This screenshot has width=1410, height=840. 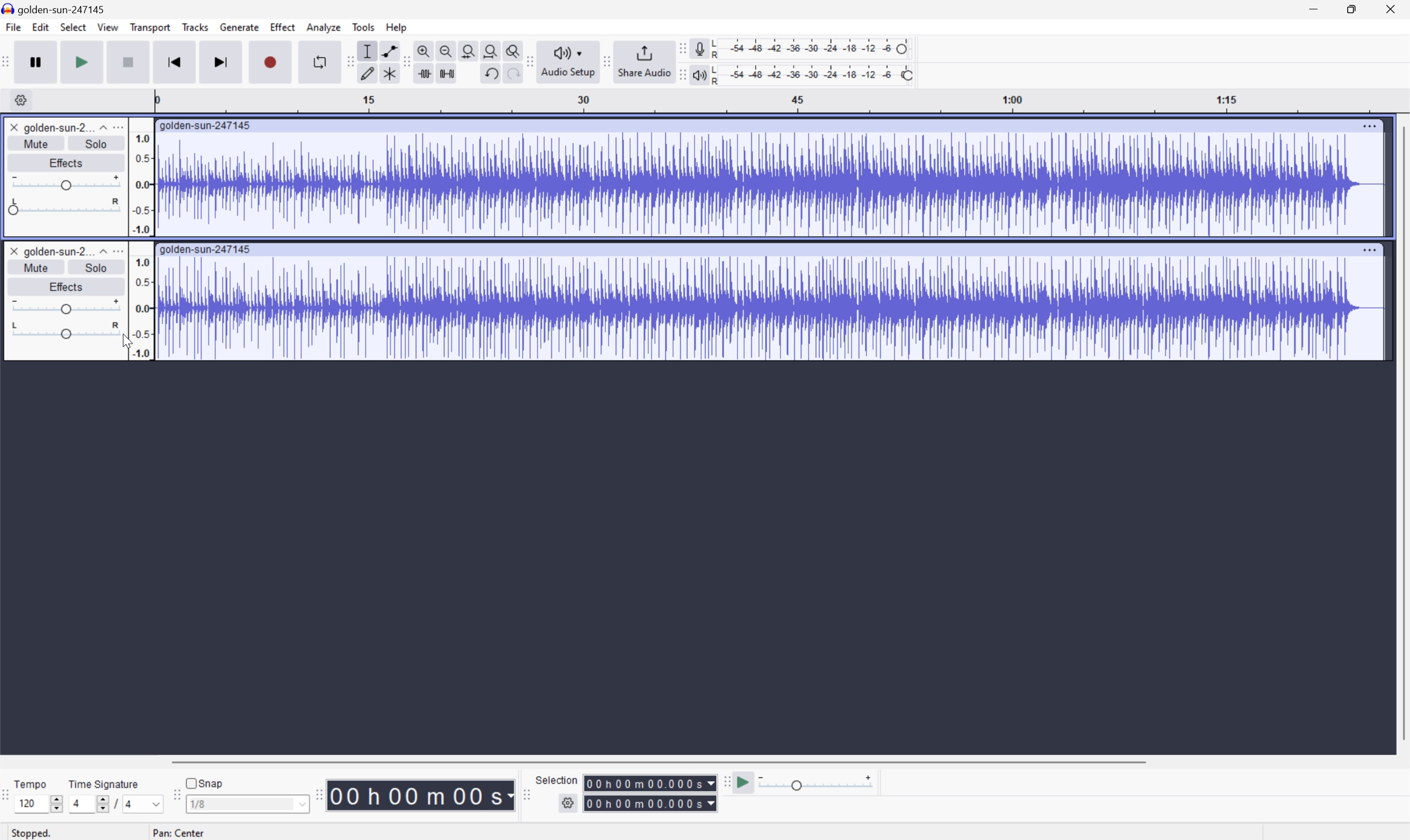 I want to click on Analyze, so click(x=325, y=28).